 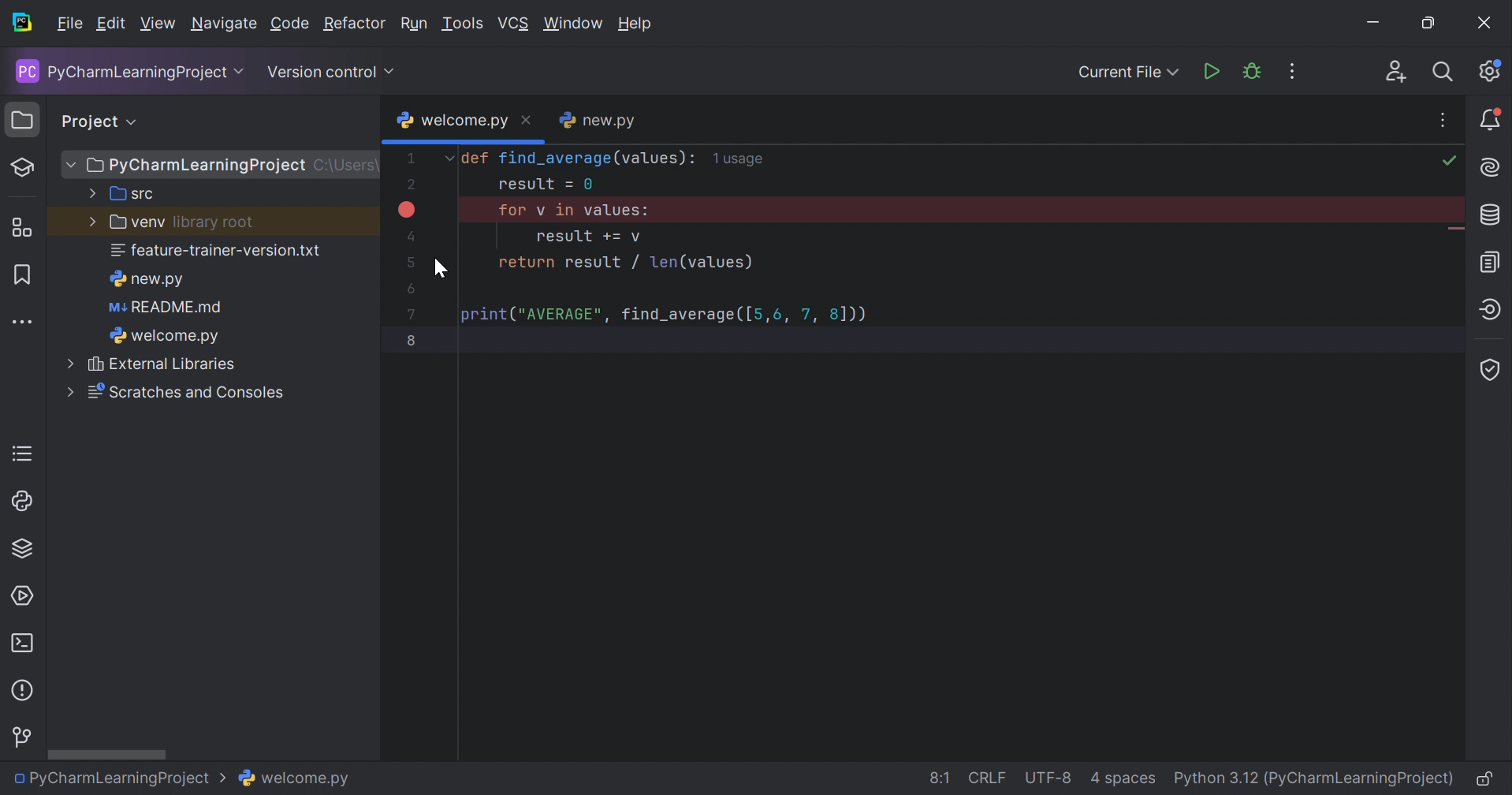 What do you see at coordinates (464, 24) in the screenshot?
I see `Tools` at bounding box center [464, 24].